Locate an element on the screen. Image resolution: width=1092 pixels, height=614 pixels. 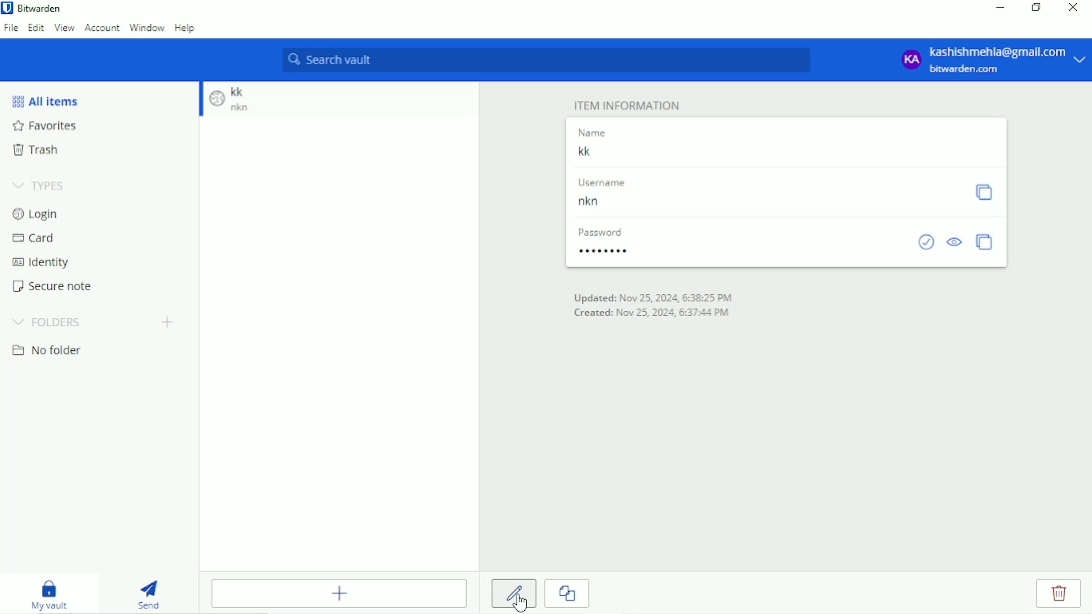
Add Item is located at coordinates (337, 593).